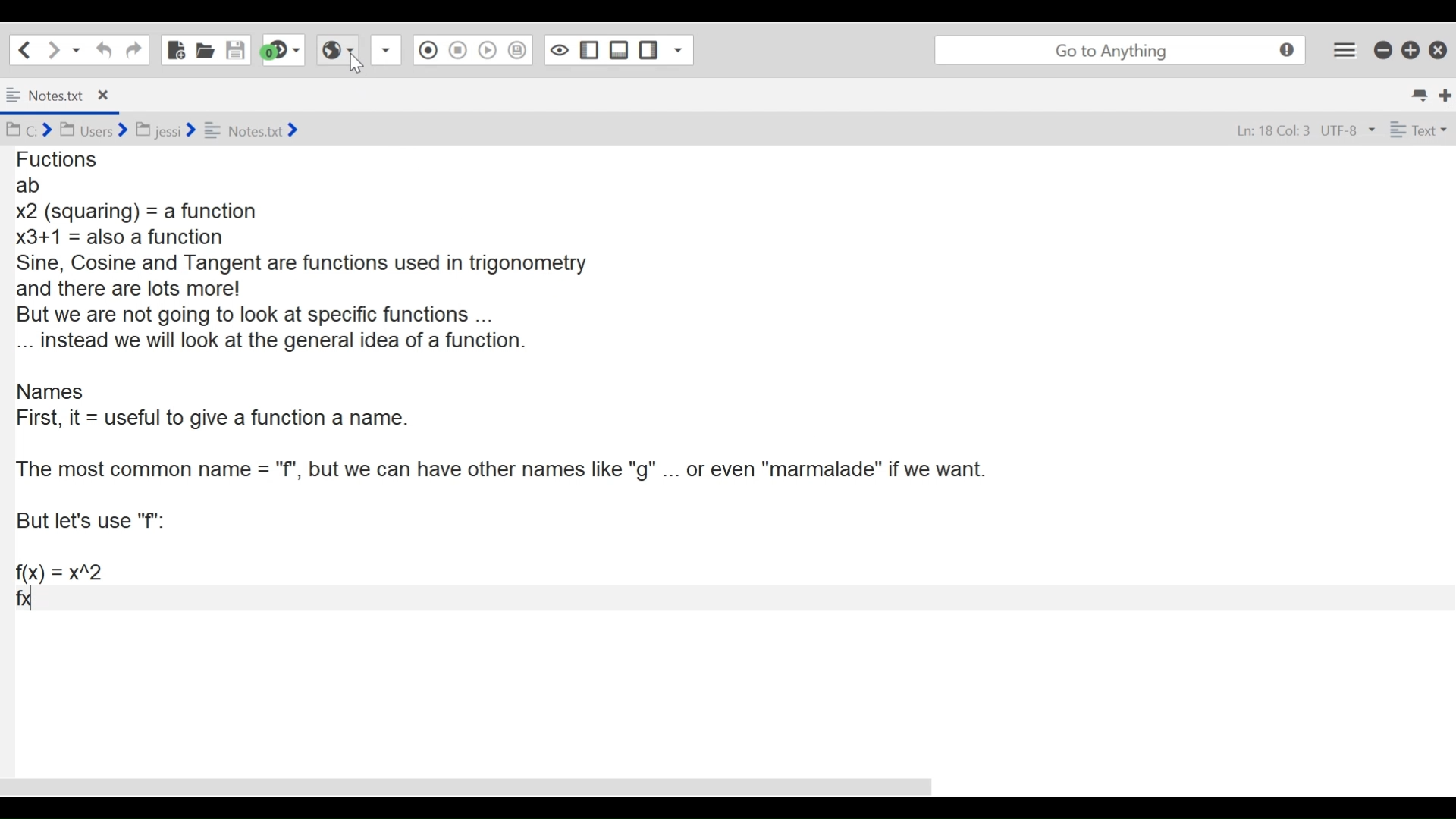 The height and width of the screenshot is (819, 1456). Describe the element at coordinates (1344, 47) in the screenshot. I see `Application menu` at that location.